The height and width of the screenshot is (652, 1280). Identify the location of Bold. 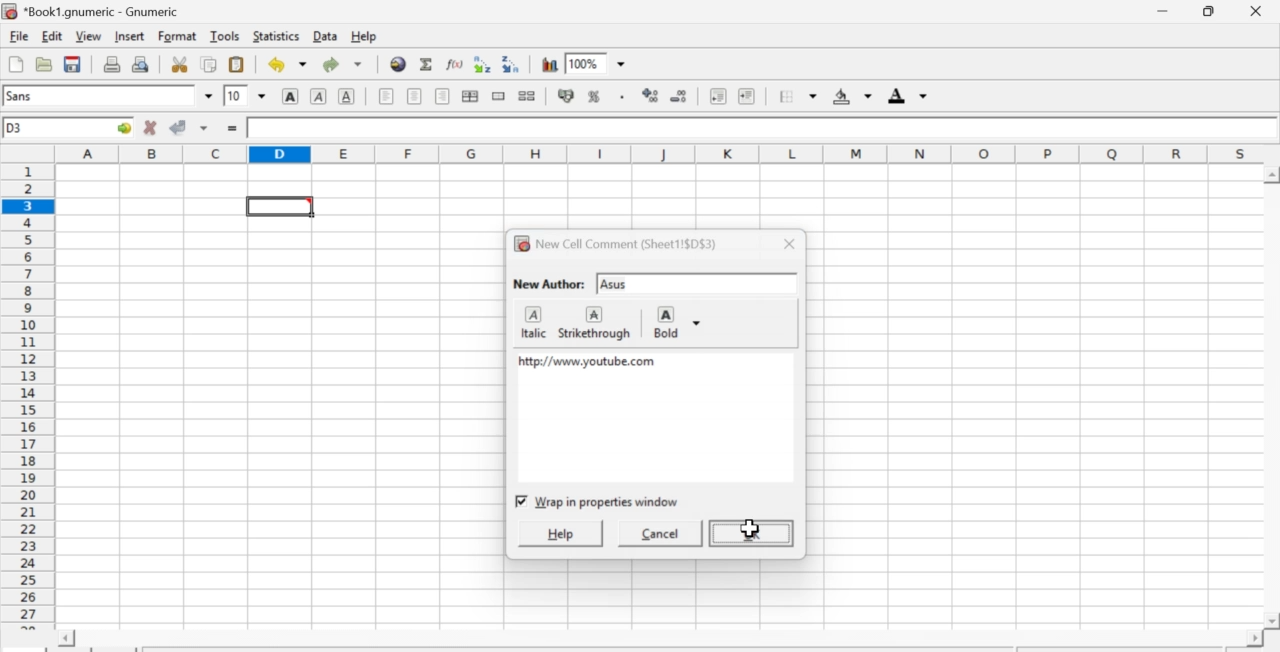
(683, 321).